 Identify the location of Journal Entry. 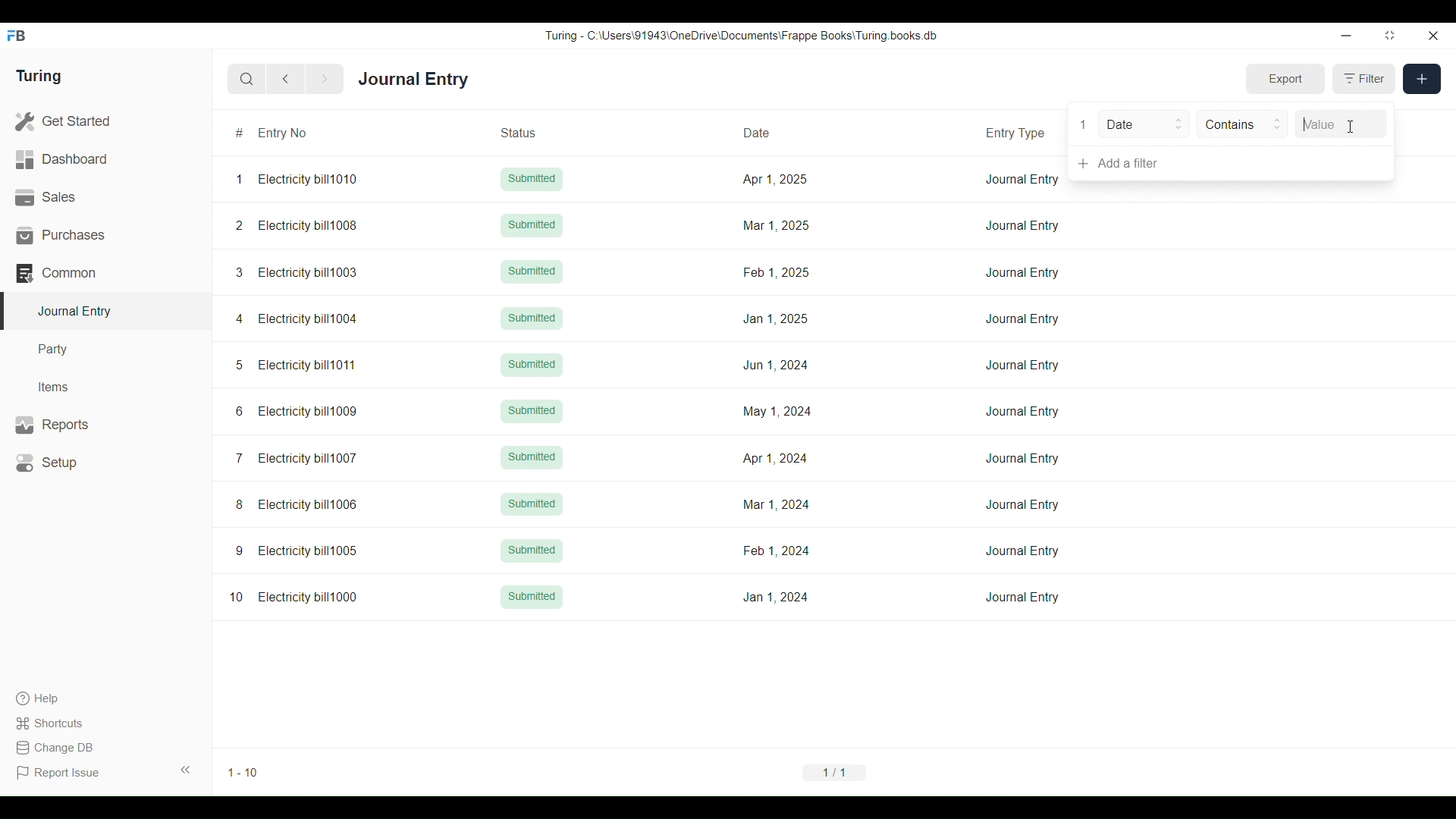
(1022, 551).